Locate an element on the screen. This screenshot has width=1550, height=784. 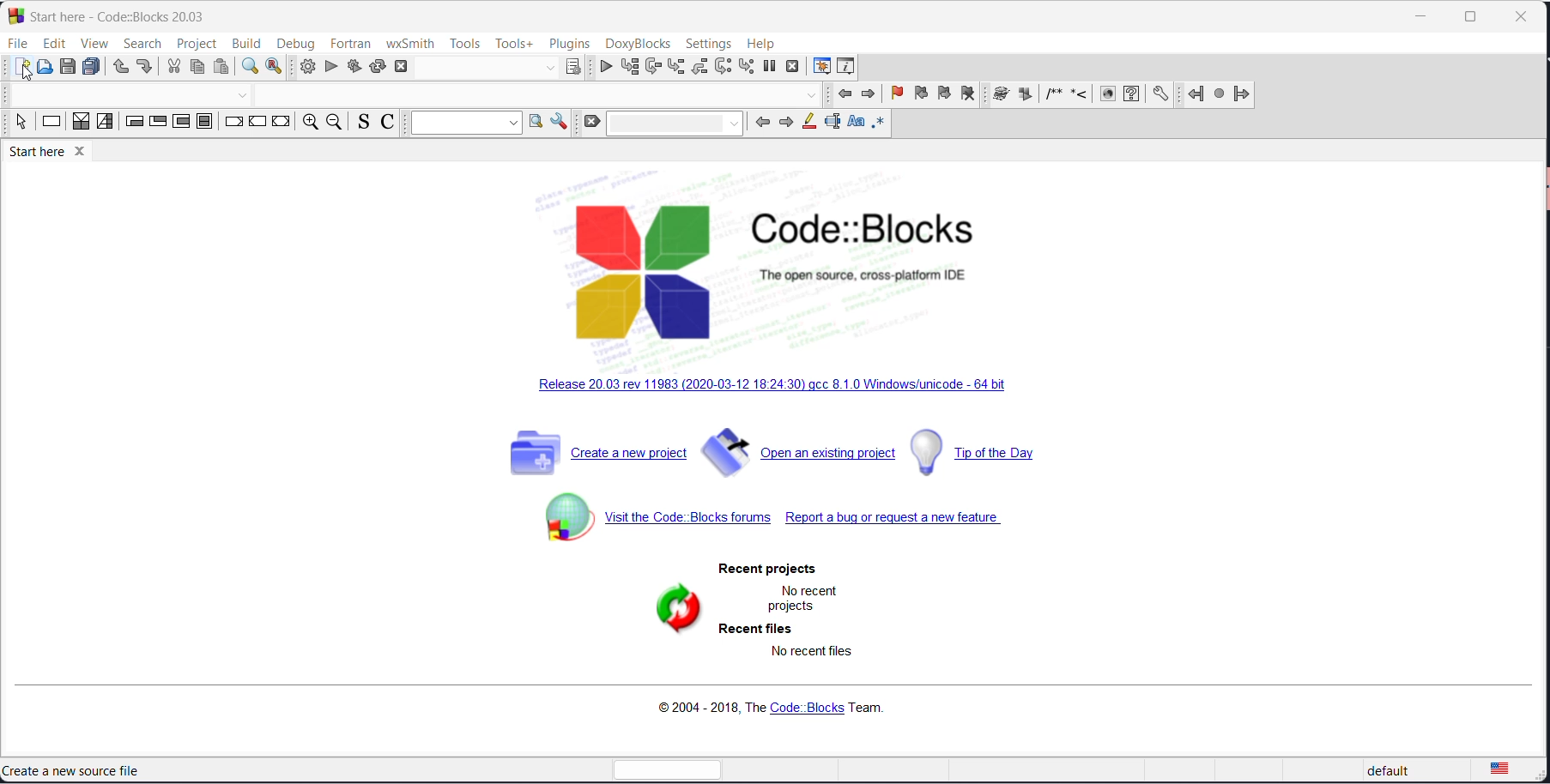
recent projects is located at coordinates (779, 570).